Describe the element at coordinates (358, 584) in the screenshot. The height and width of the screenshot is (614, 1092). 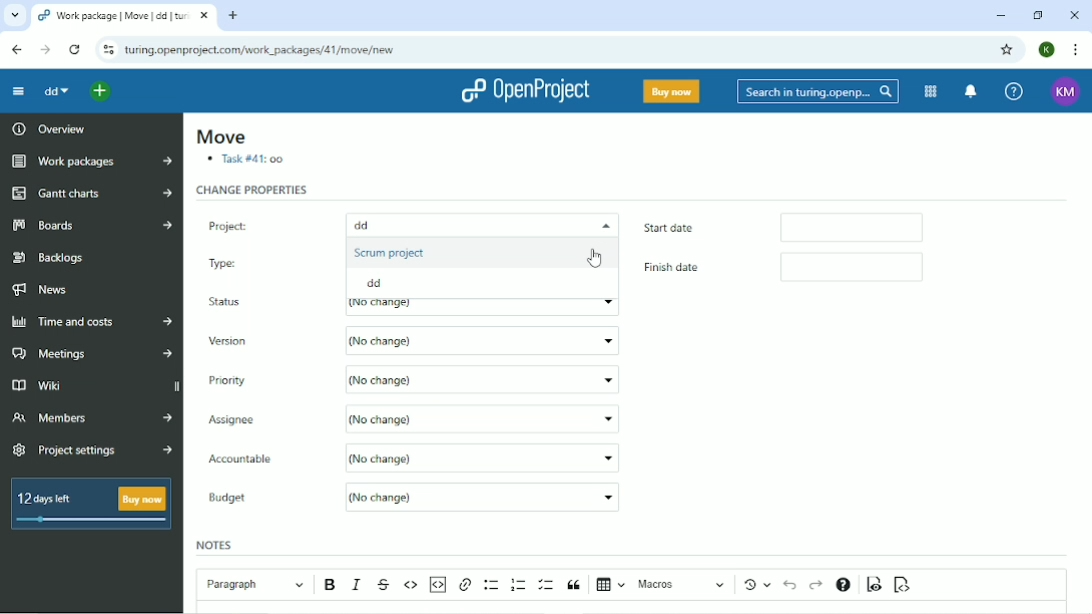
I see `Italic` at that location.